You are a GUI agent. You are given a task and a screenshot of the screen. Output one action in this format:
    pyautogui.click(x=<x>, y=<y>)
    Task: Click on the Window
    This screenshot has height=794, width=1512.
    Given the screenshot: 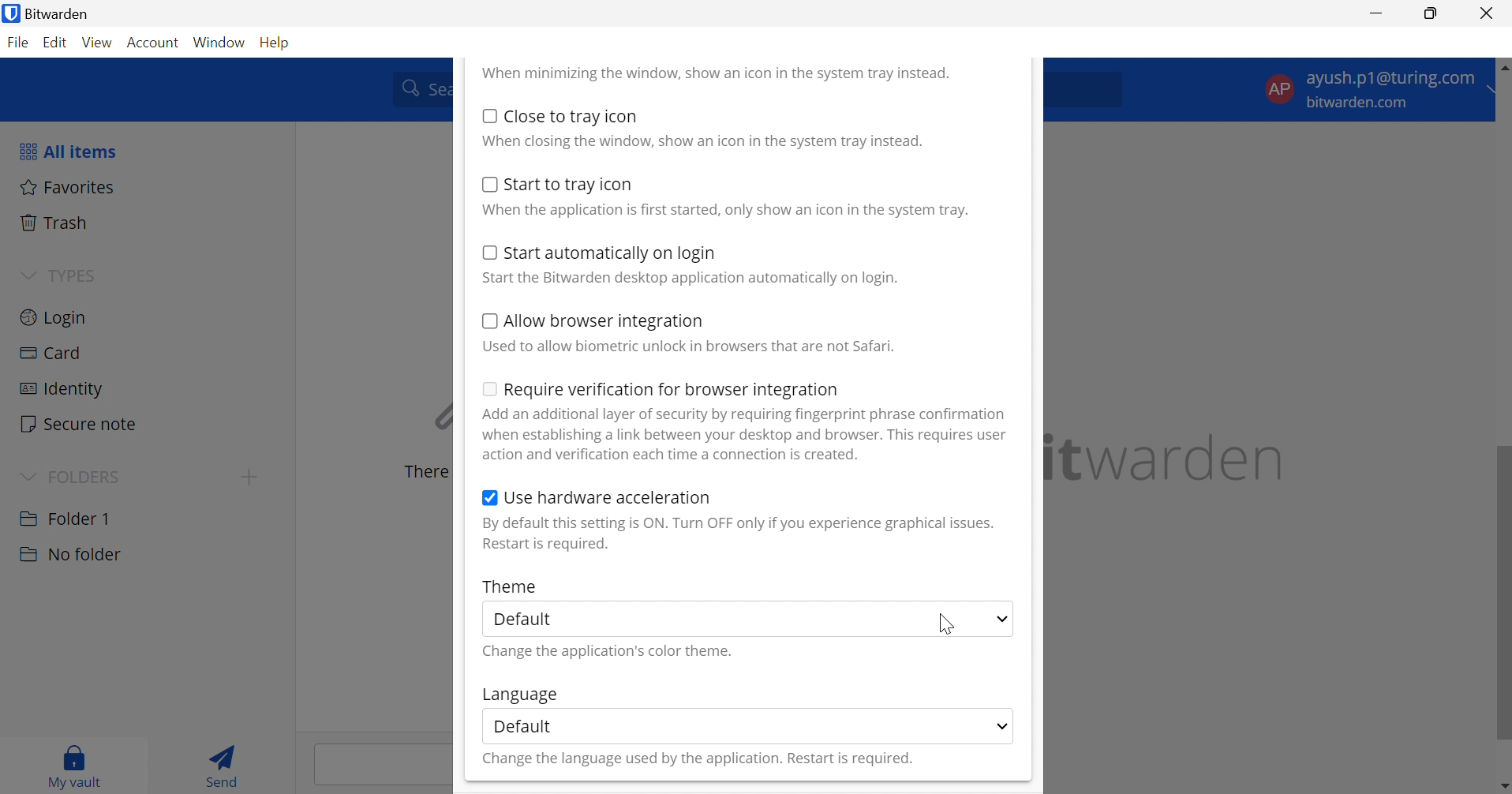 What is the action you would take?
    pyautogui.click(x=221, y=42)
    